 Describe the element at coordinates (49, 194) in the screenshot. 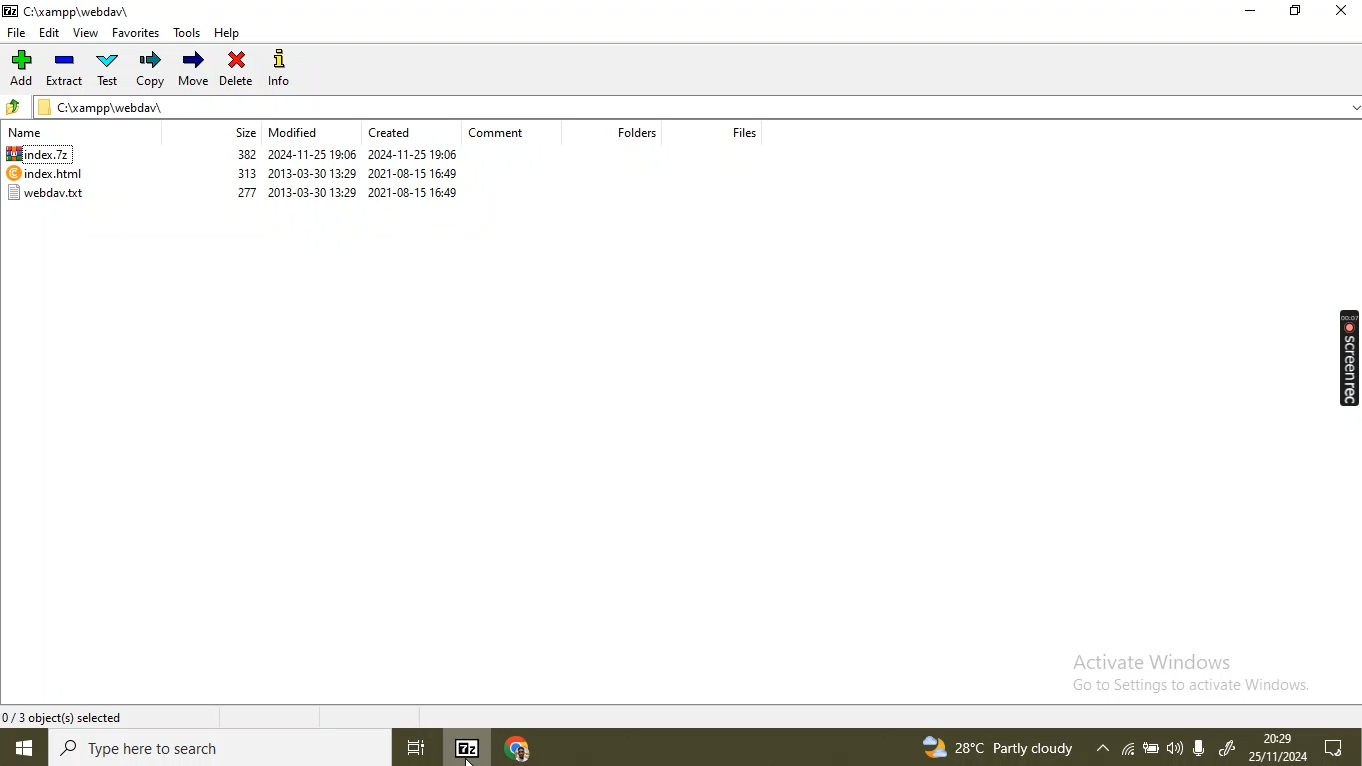

I see `webdav.txt` at that location.